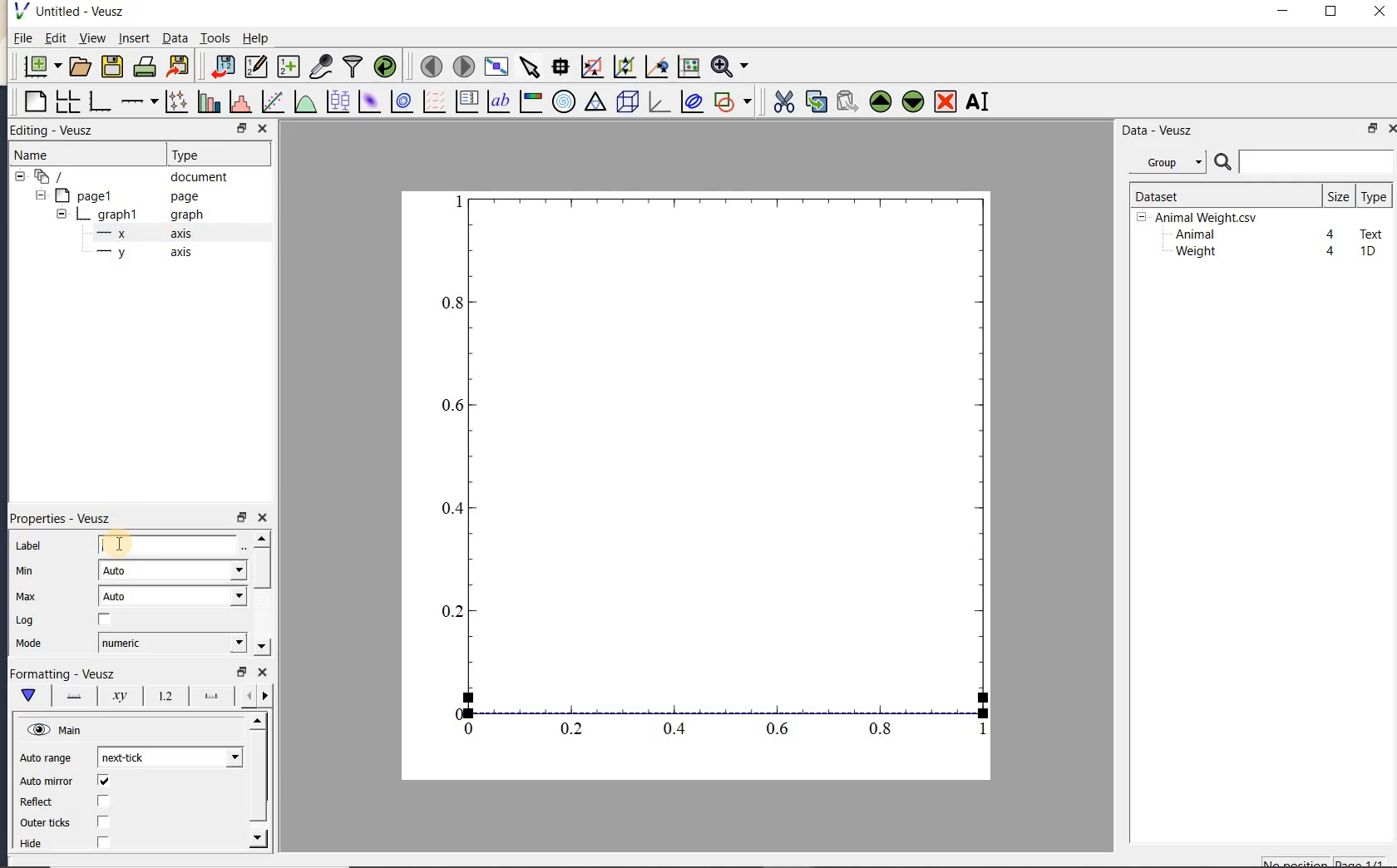 The height and width of the screenshot is (868, 1397). I want to click on check/uncheck, so click(105, 620).